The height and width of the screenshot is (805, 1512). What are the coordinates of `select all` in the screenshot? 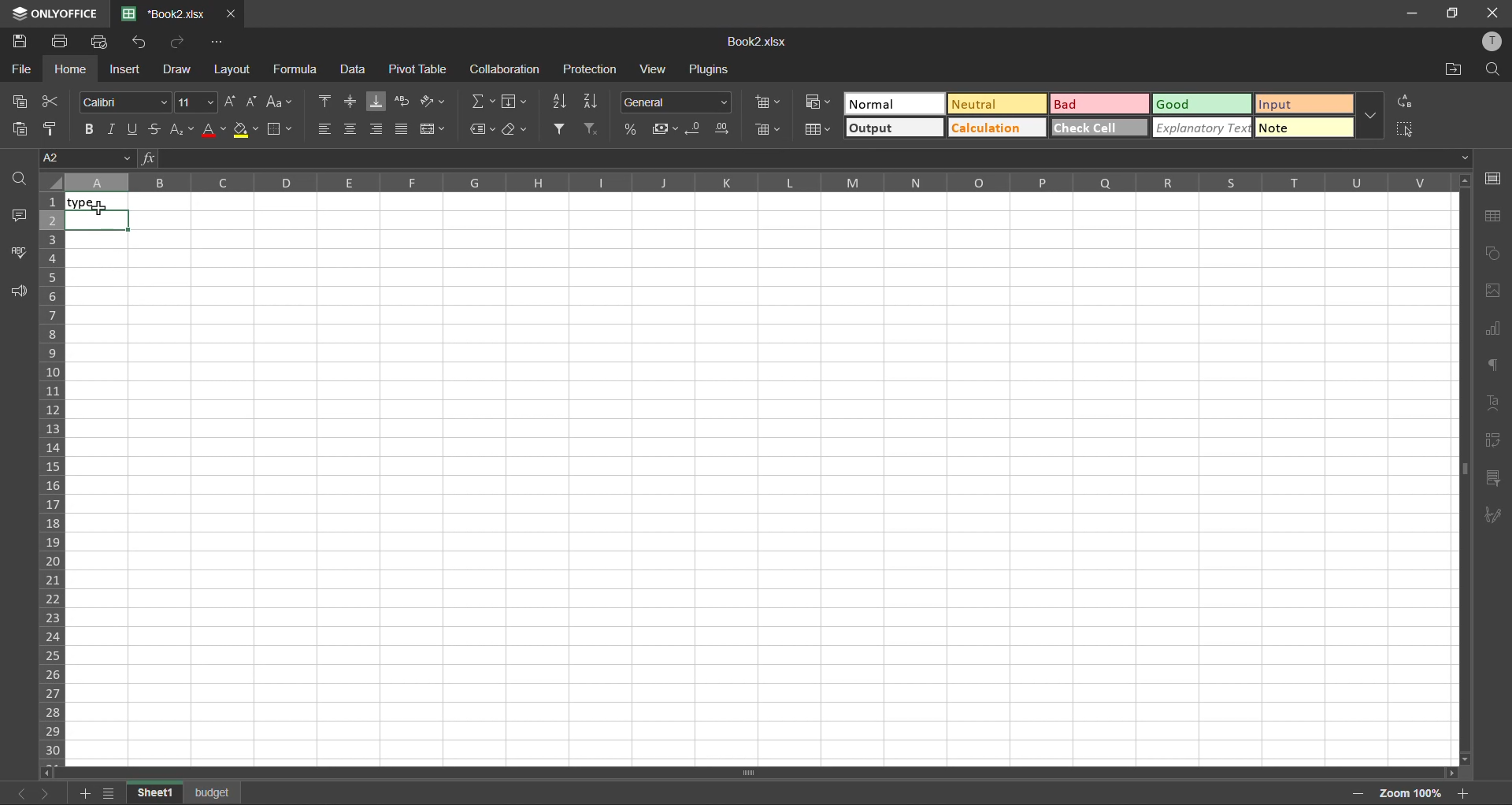 It's located at (1407, 129).